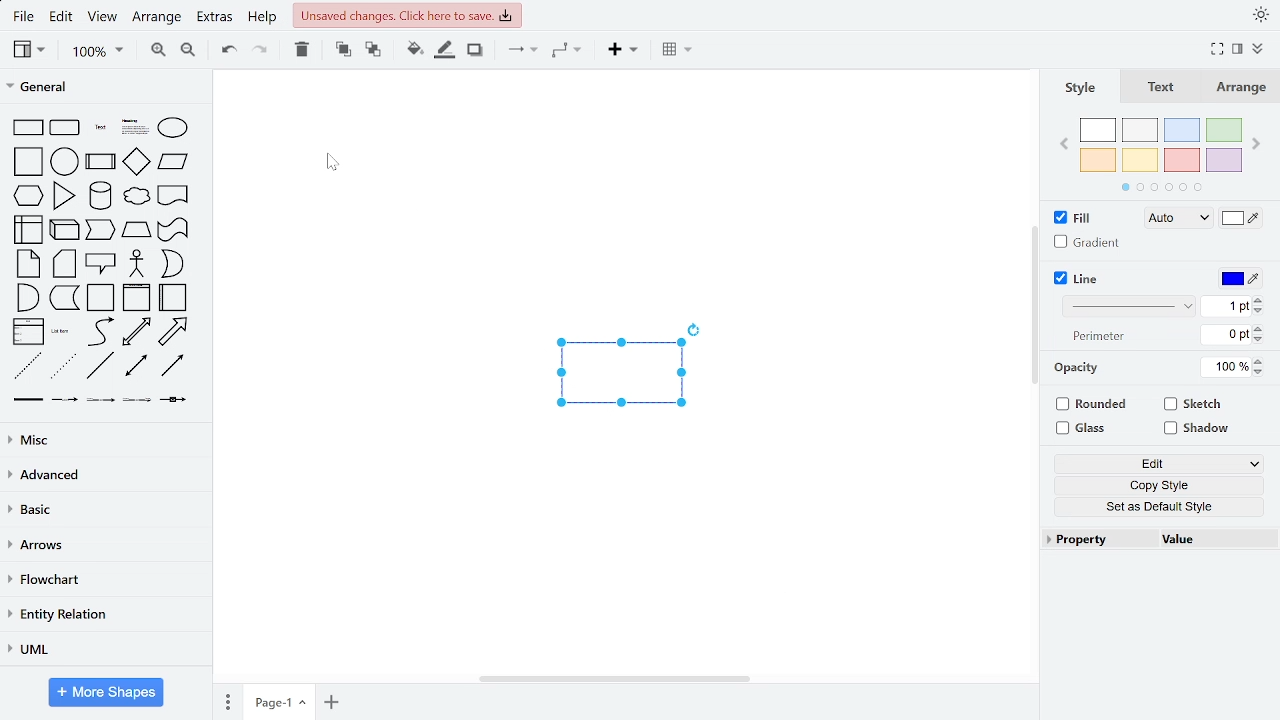 This screenshot has width=1280, height=720. I want to click on insert page, so click(333, 702).